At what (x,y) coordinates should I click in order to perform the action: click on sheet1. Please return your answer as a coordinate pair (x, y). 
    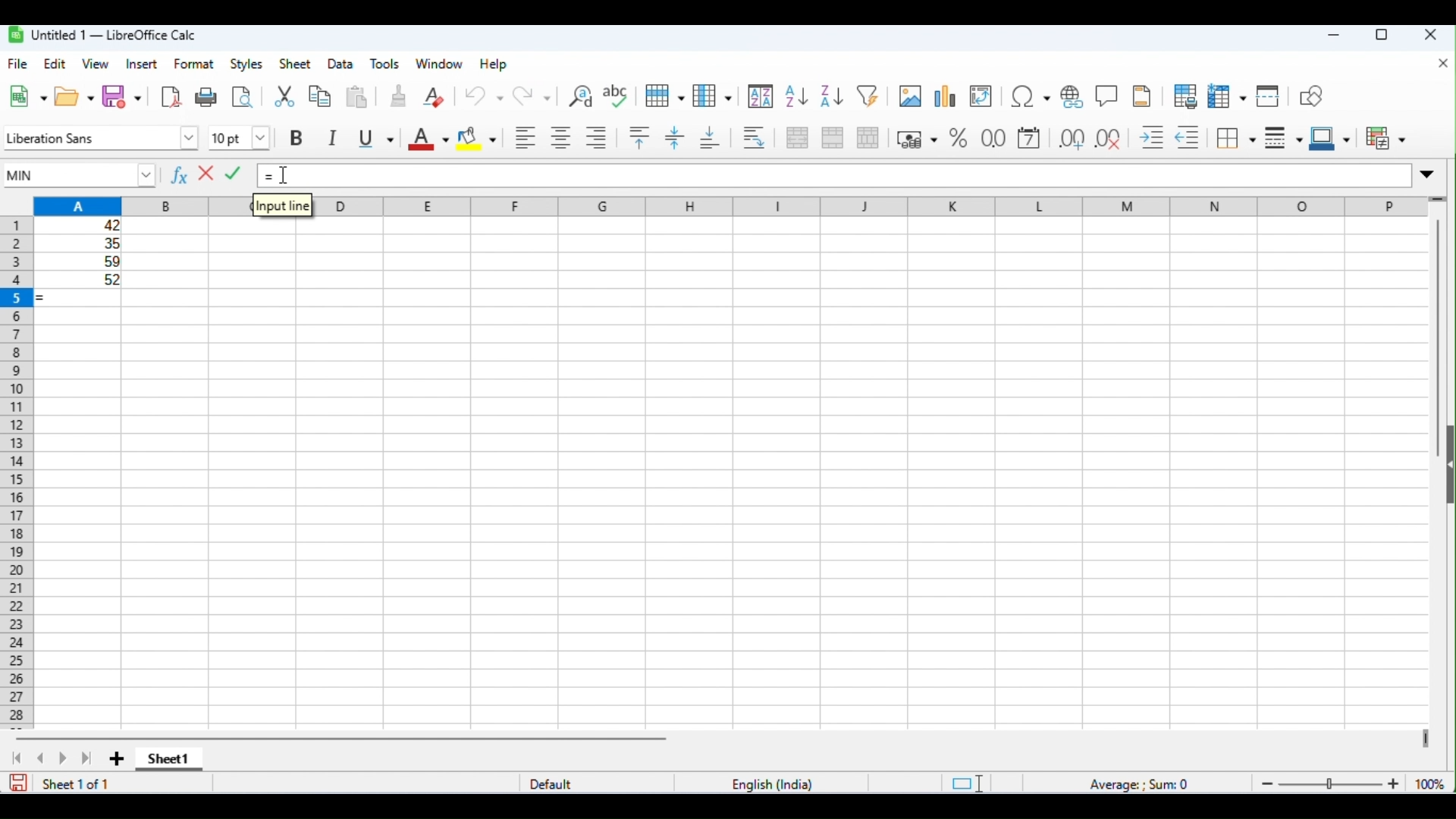
    Looking at the image, I should click on (169, 761).